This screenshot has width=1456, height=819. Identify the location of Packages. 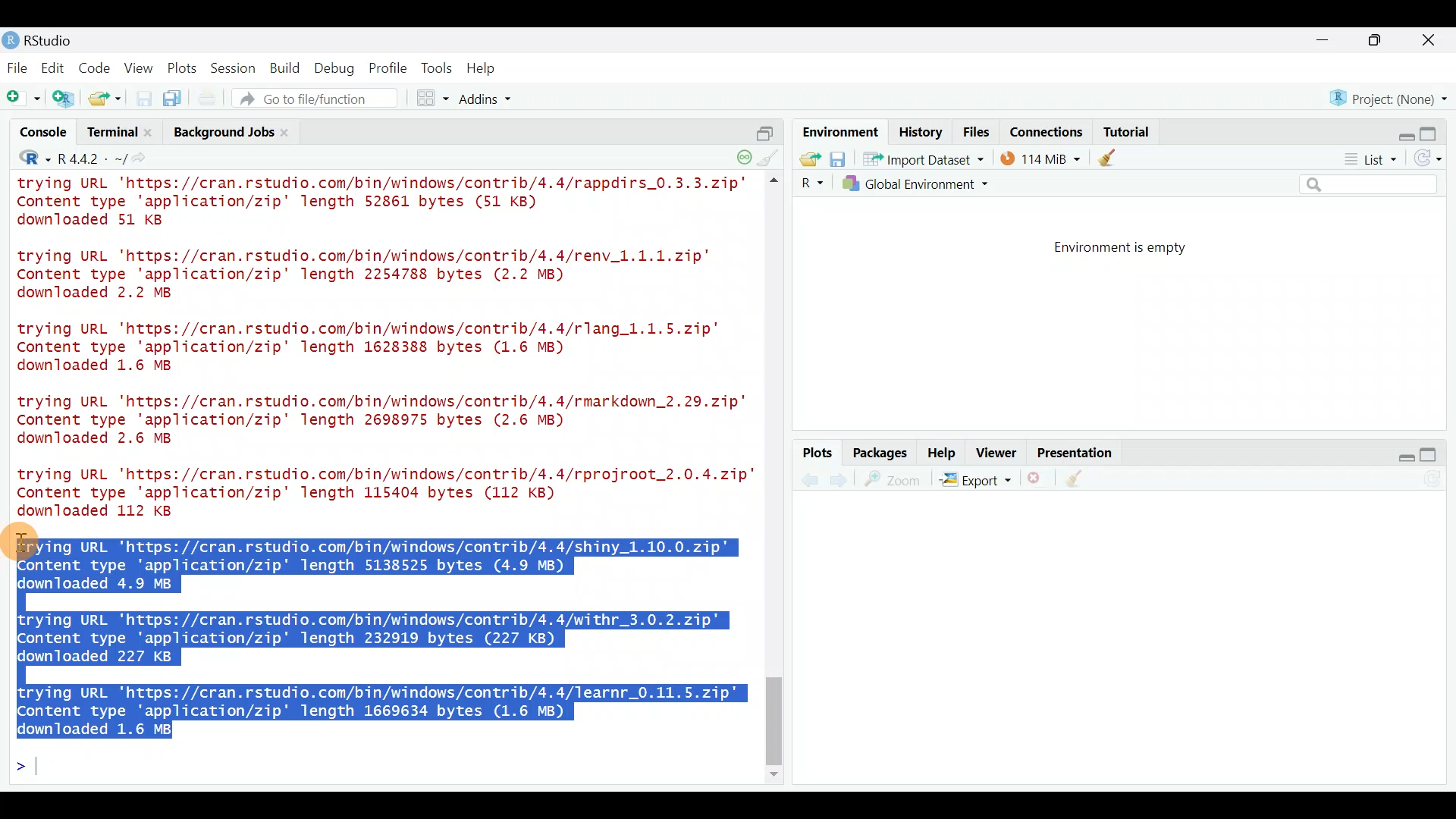
(879, 452).